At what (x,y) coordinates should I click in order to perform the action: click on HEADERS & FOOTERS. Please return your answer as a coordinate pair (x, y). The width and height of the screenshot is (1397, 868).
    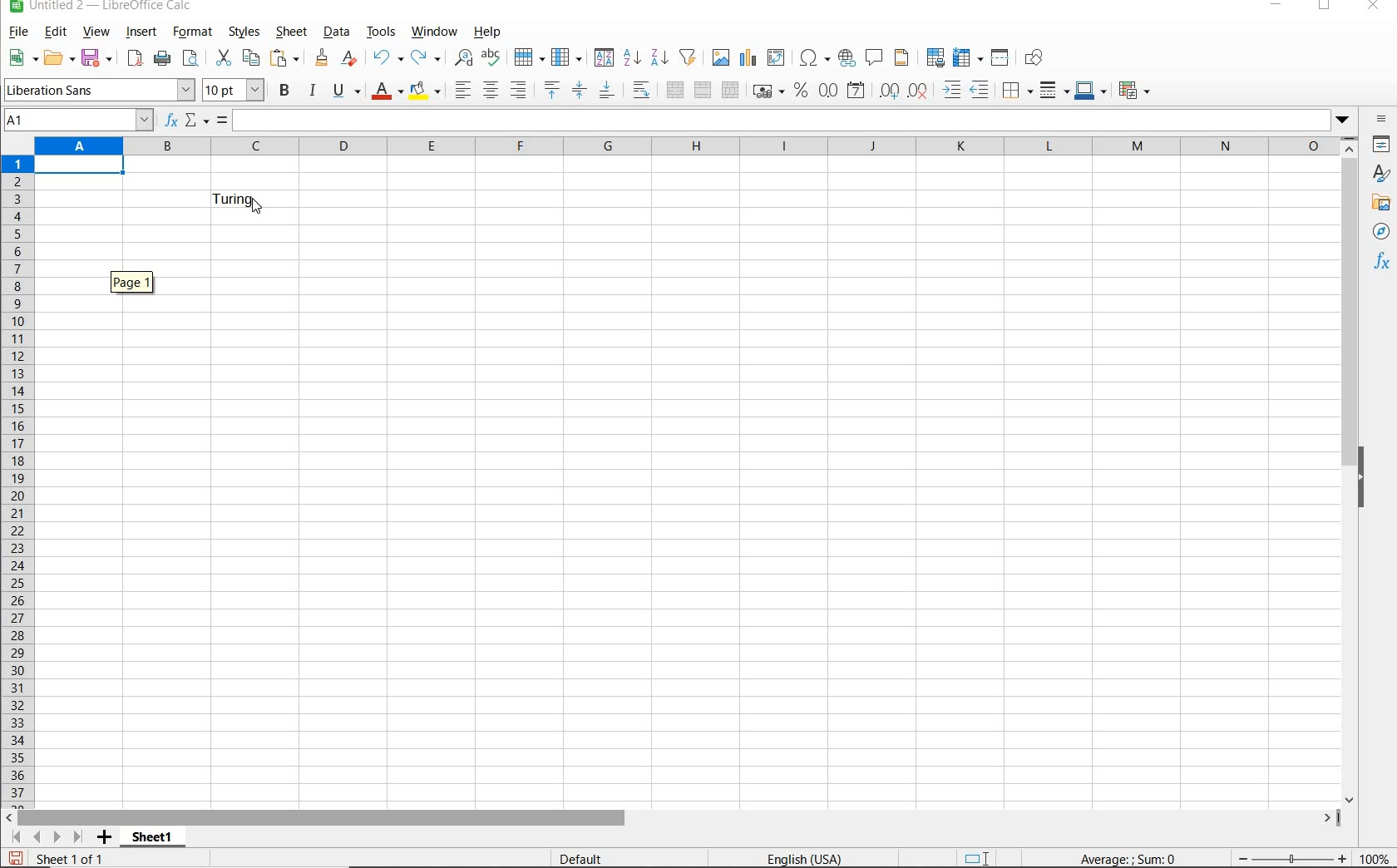
    Looking at the image, I should click on (901, 57).